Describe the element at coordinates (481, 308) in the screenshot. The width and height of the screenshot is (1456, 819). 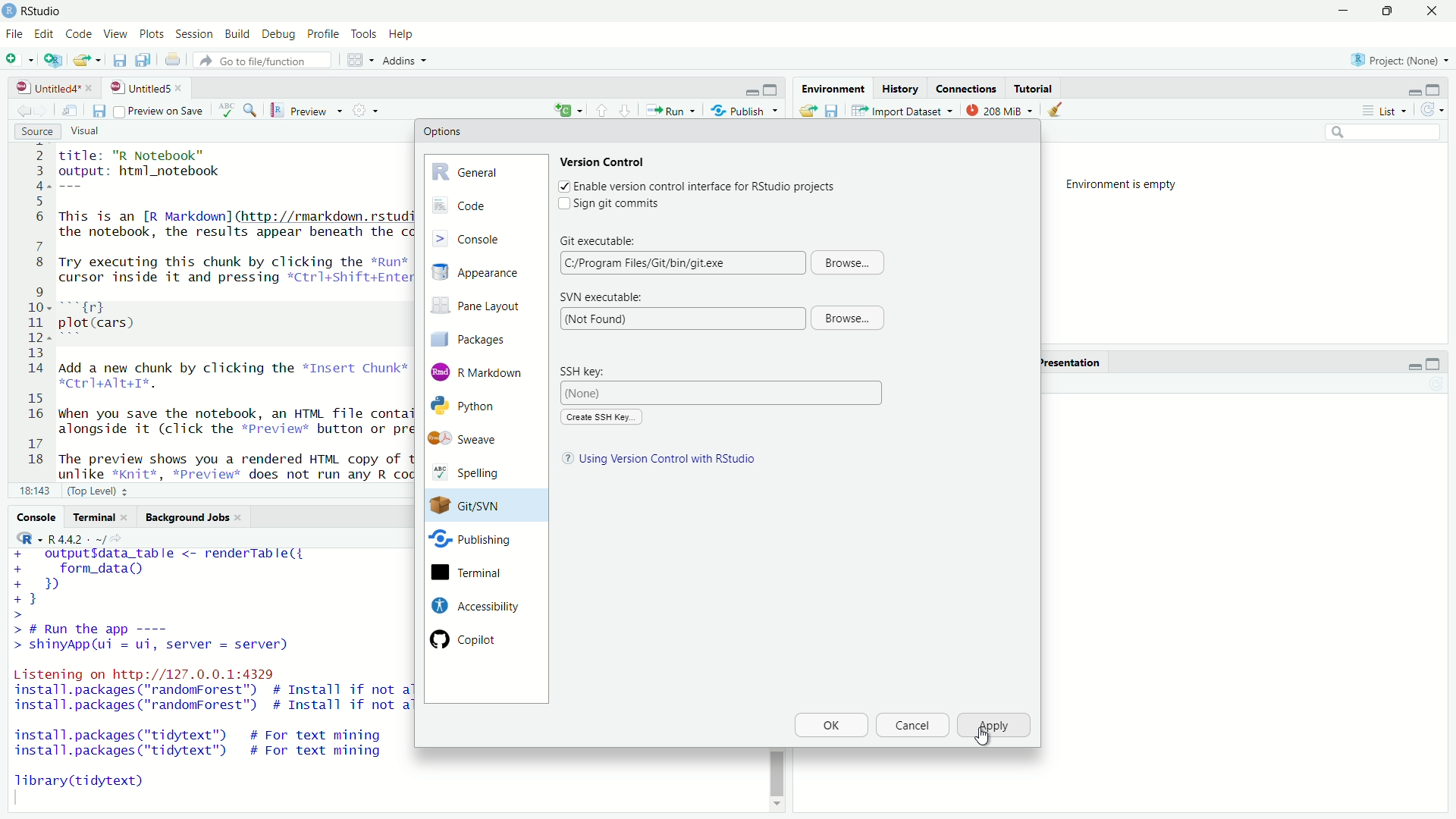
I see `Pane Layout` at that location.